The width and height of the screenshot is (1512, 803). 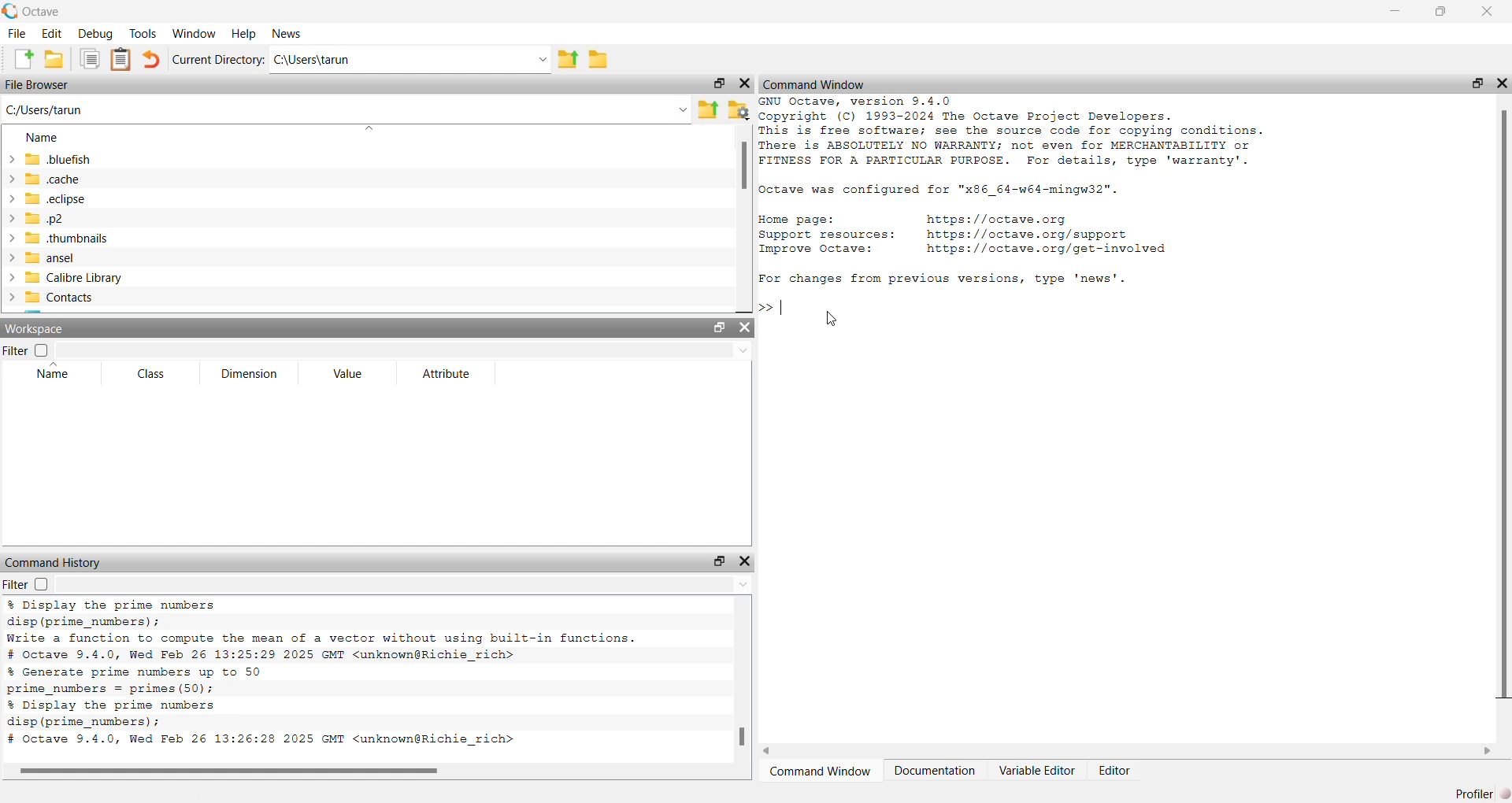 I want to click on add file, so click(x=25, y=58).